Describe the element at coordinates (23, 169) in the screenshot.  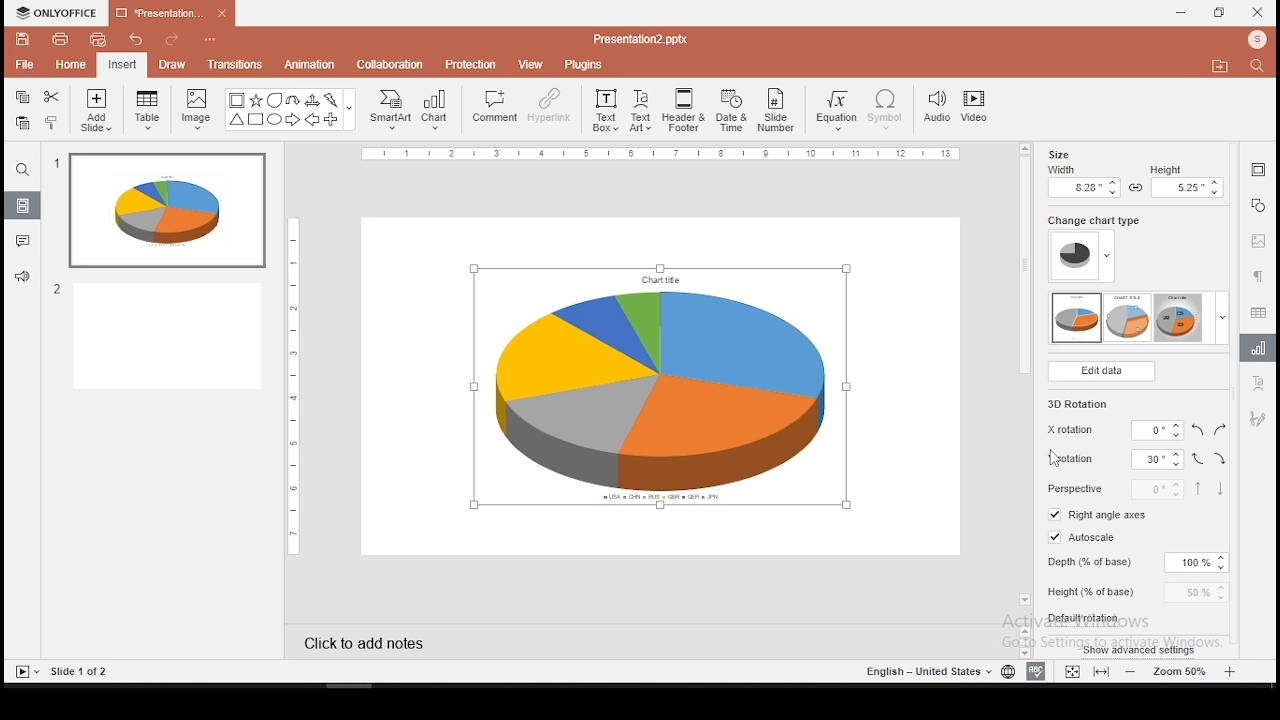
I see `find` at that location.